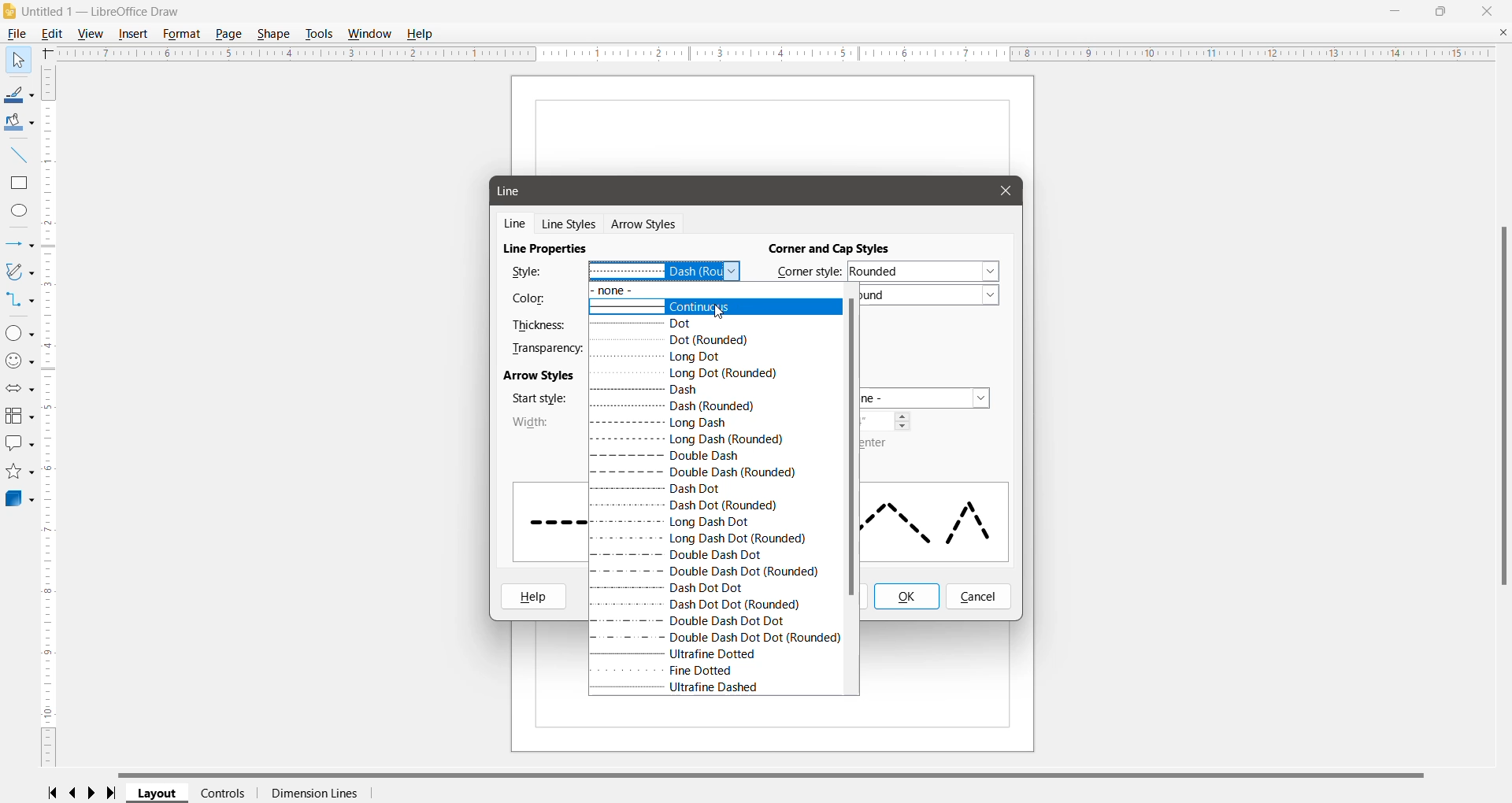 The image size is (1512, 803). Describe the element at coordinates (906, 598) in the screenshot. I see `Ok` at that location.